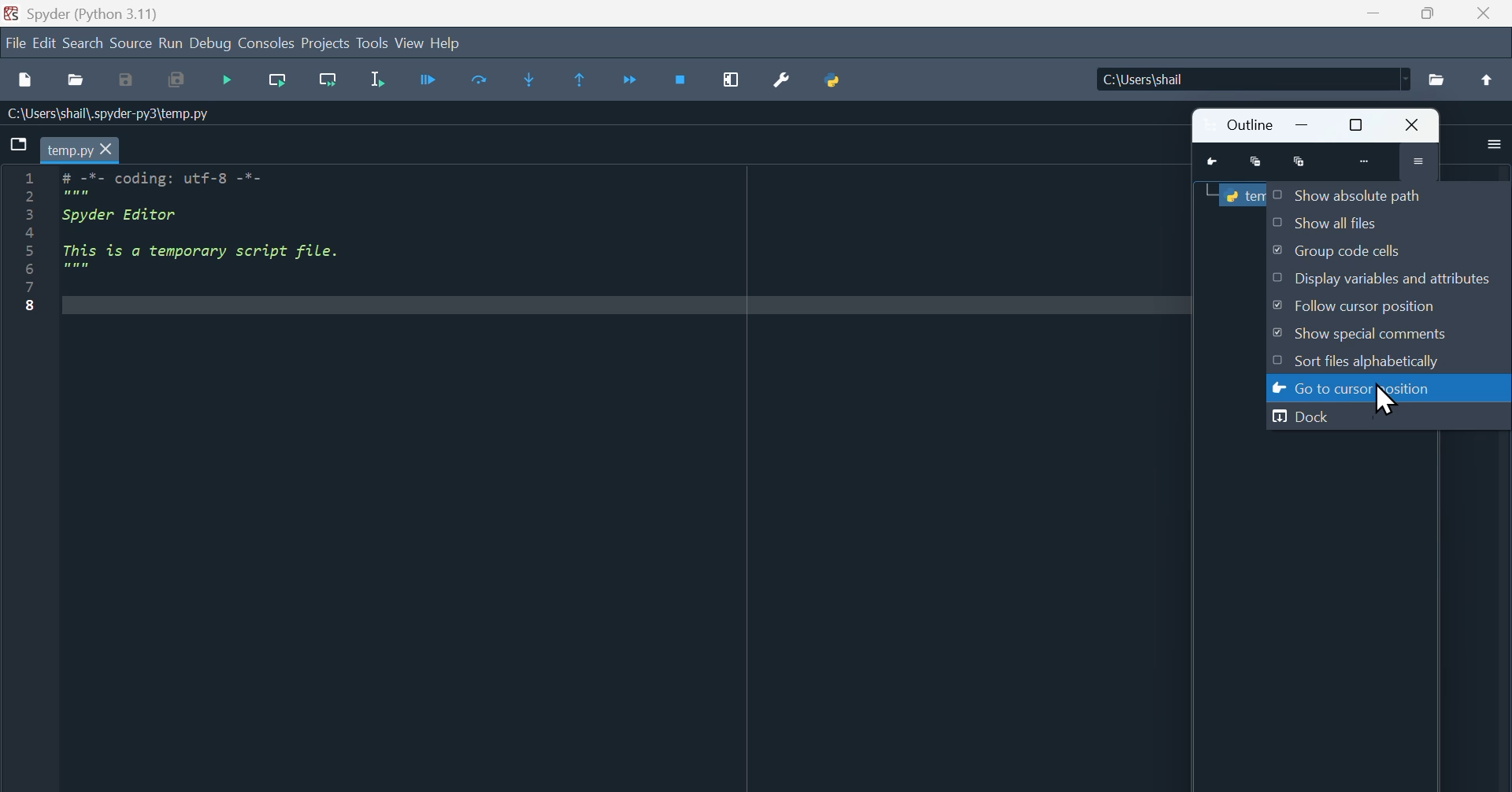  Describe the element at coordinates (1436, 80) in the screenshot. I see `File` at that location.